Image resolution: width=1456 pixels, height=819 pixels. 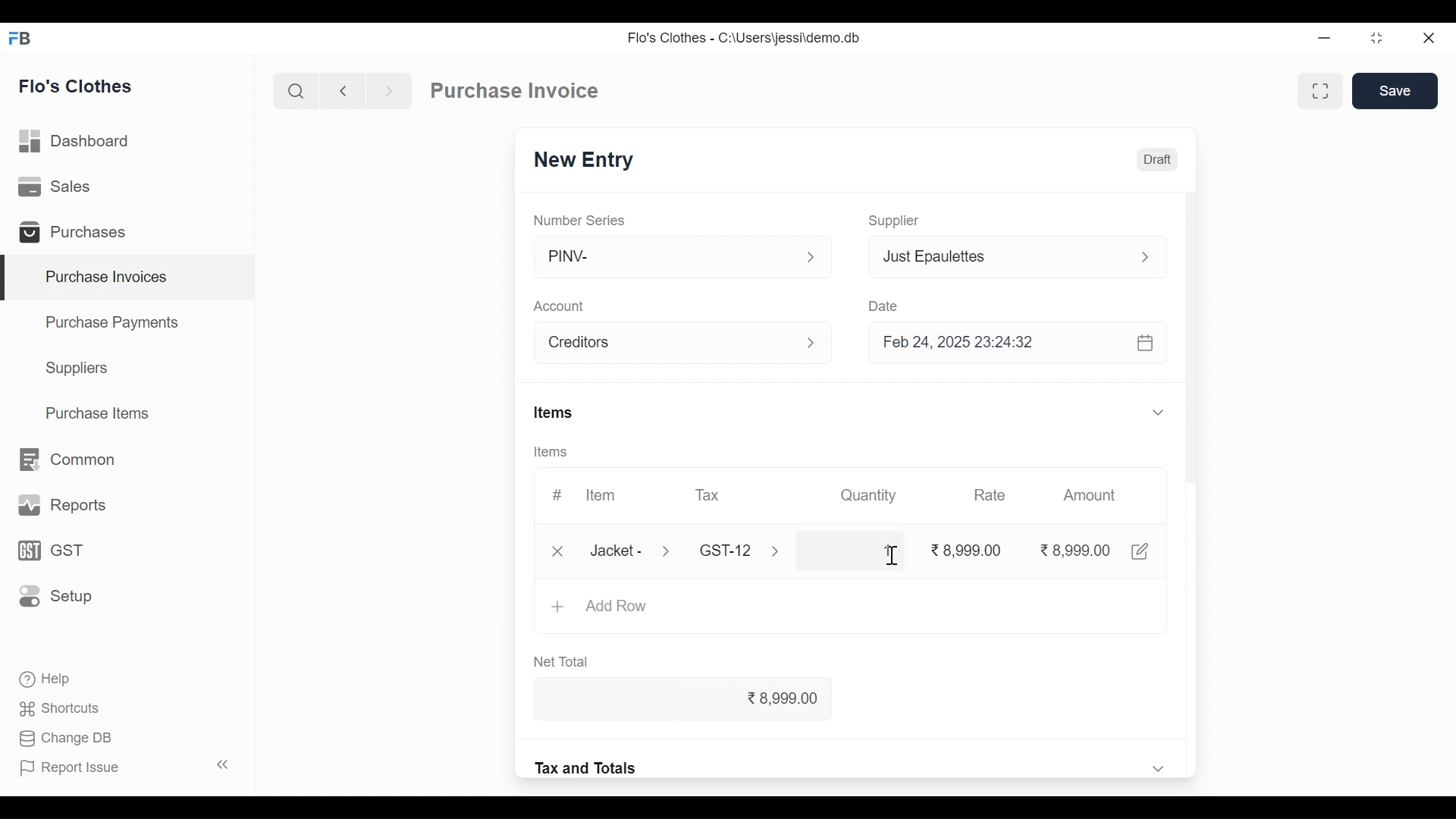 What do you see at coordinates (669, 342) in the screenshot?
I see `Account` at bounding box center [669, 342].